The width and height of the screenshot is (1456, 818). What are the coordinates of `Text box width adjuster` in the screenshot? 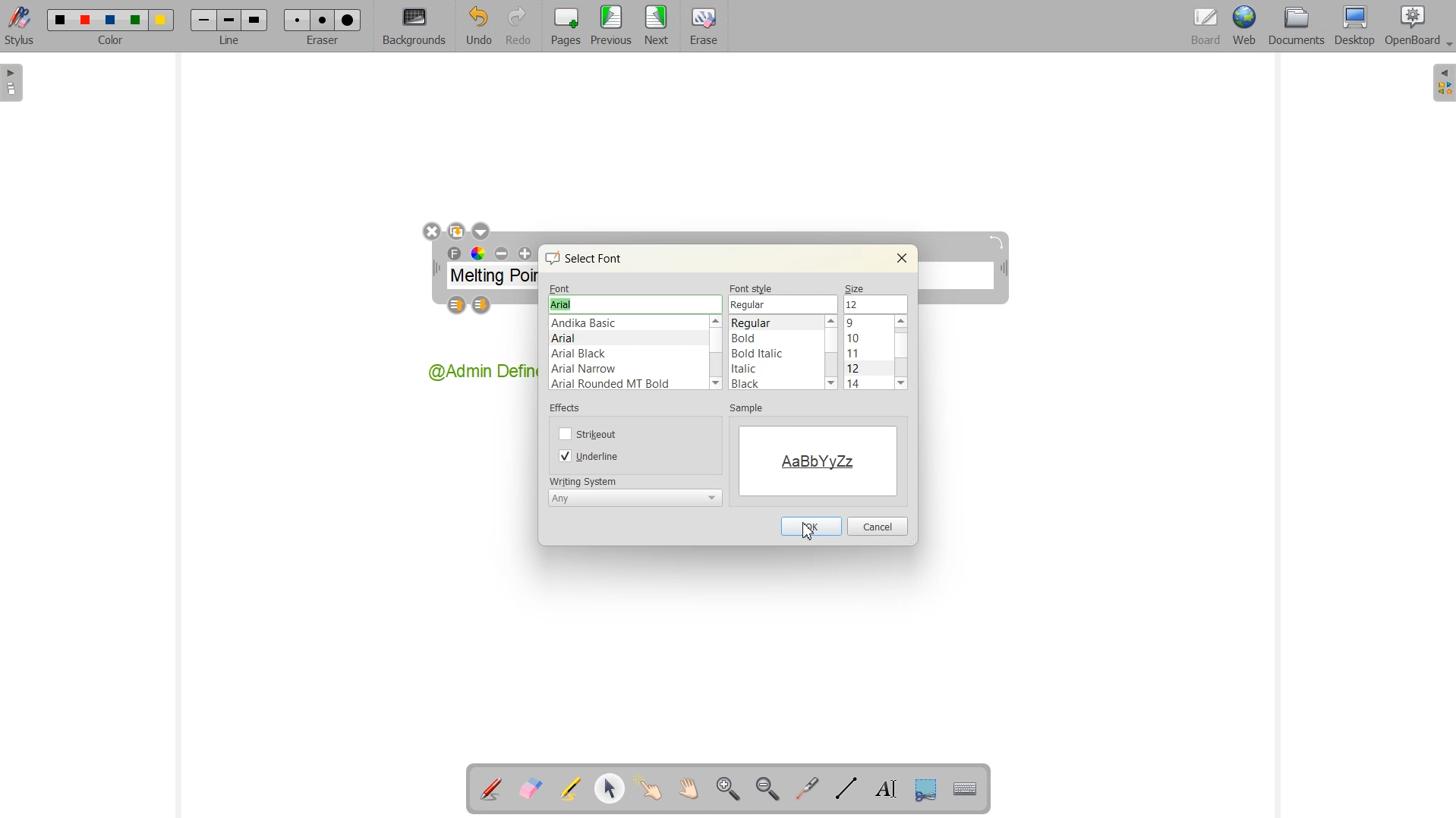 It's located at (436, 269).